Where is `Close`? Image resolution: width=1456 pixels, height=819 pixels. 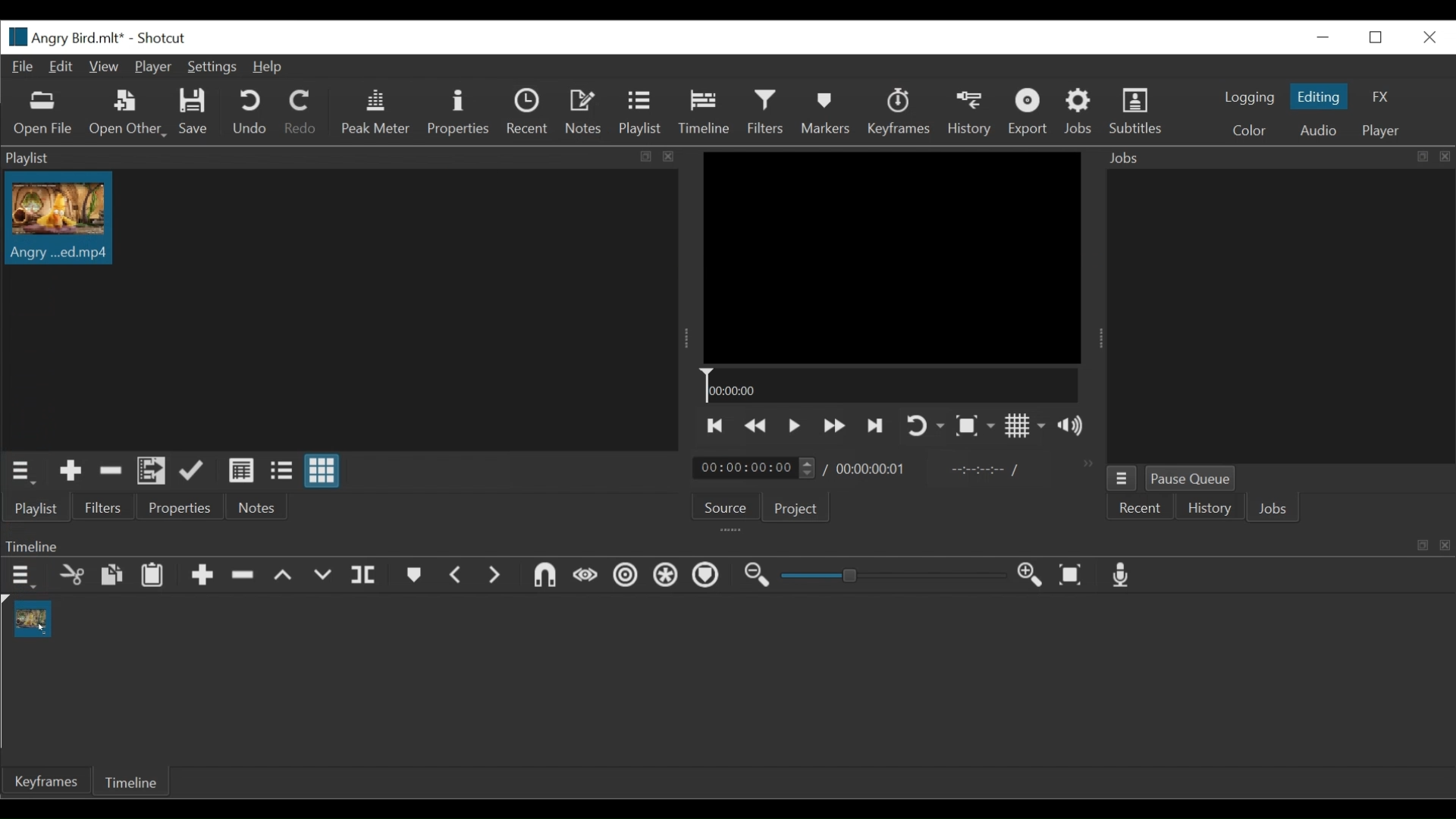 Close is located at coordinates (1430, 38).